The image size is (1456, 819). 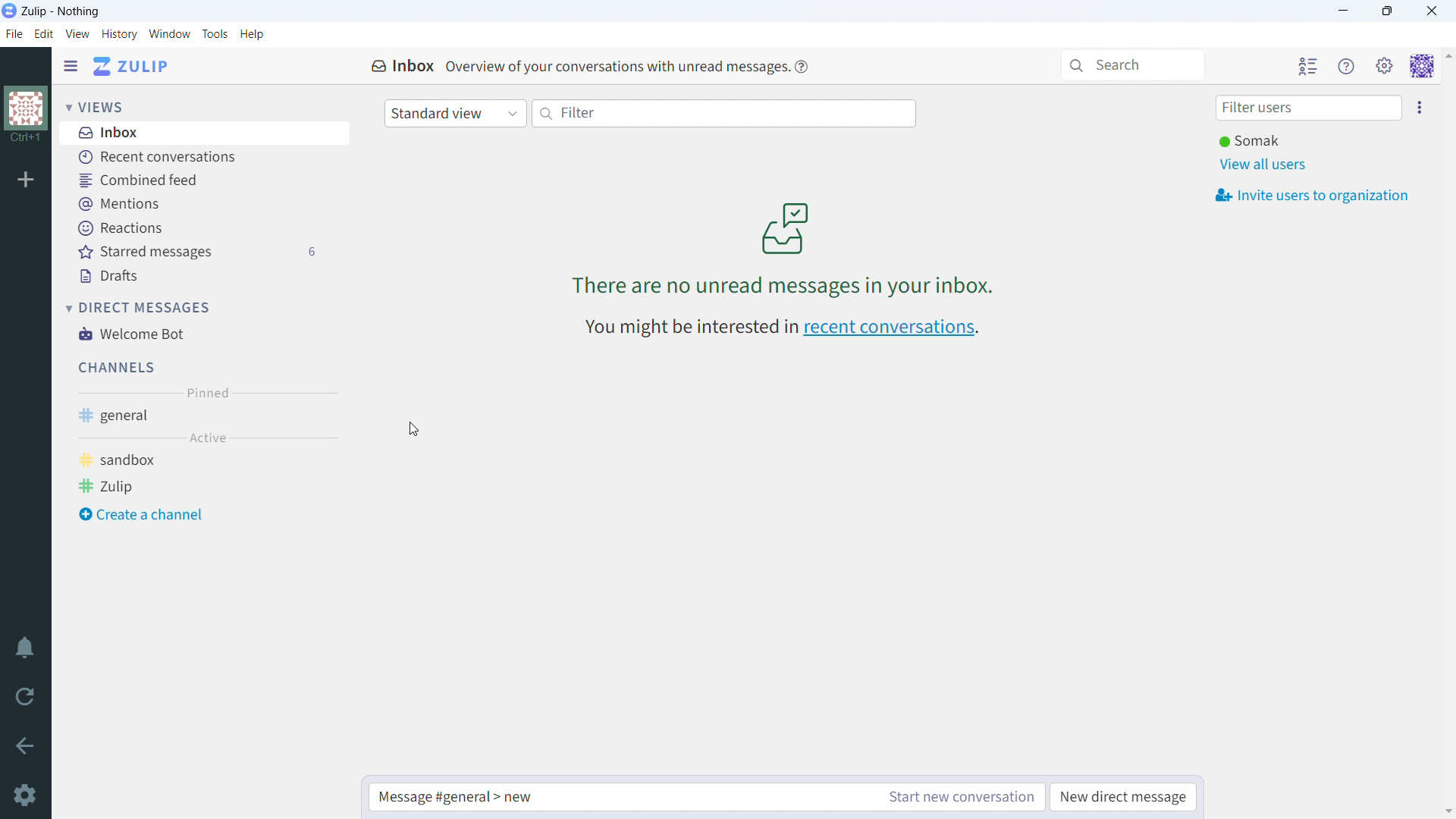 I want to click on enable do not disturb, so click(x=25, y=648).